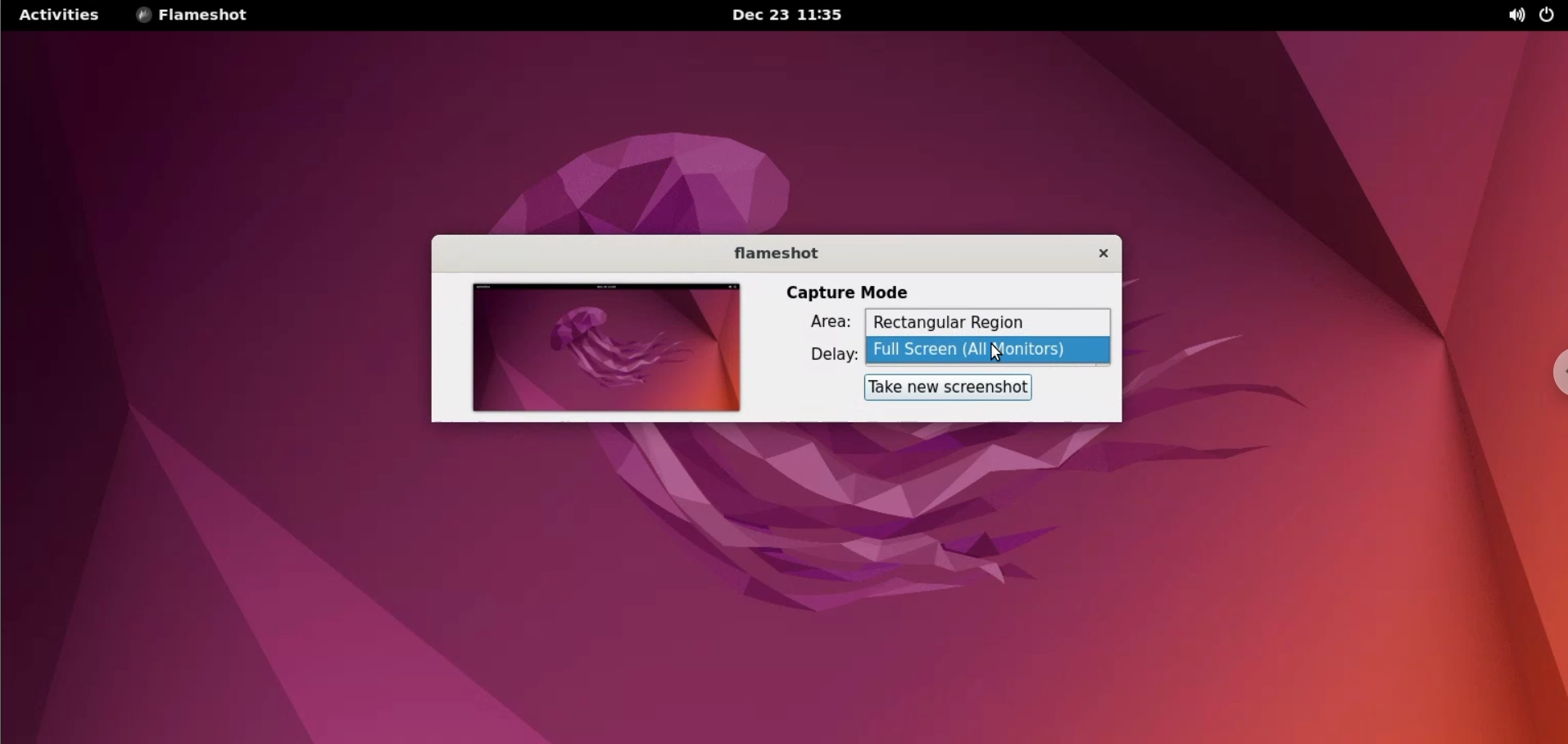 This screenshot has height=744, width=1568. I want to click on capture mode, so click(838, 293).